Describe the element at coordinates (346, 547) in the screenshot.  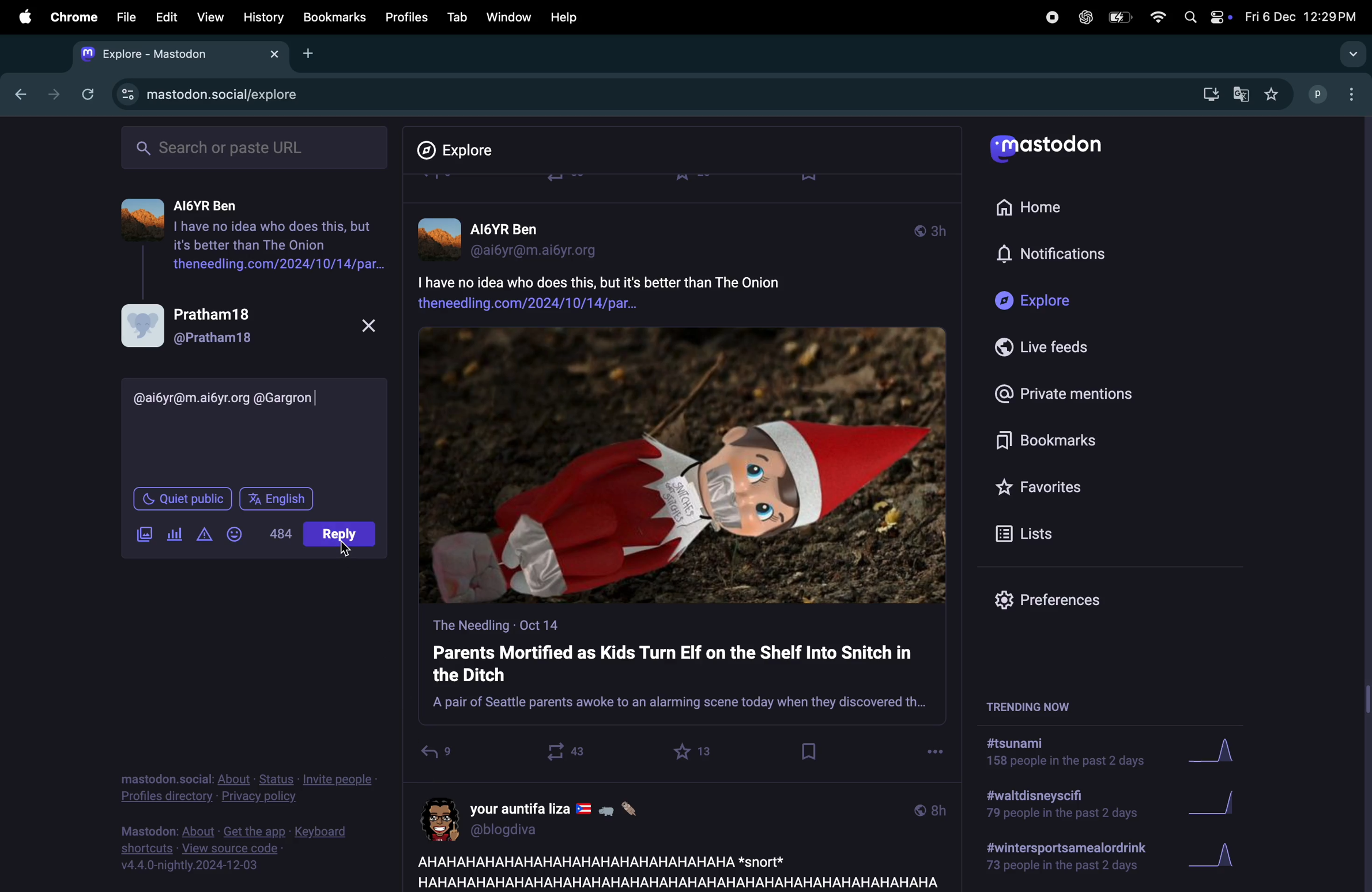
I see `cursor` at that location.